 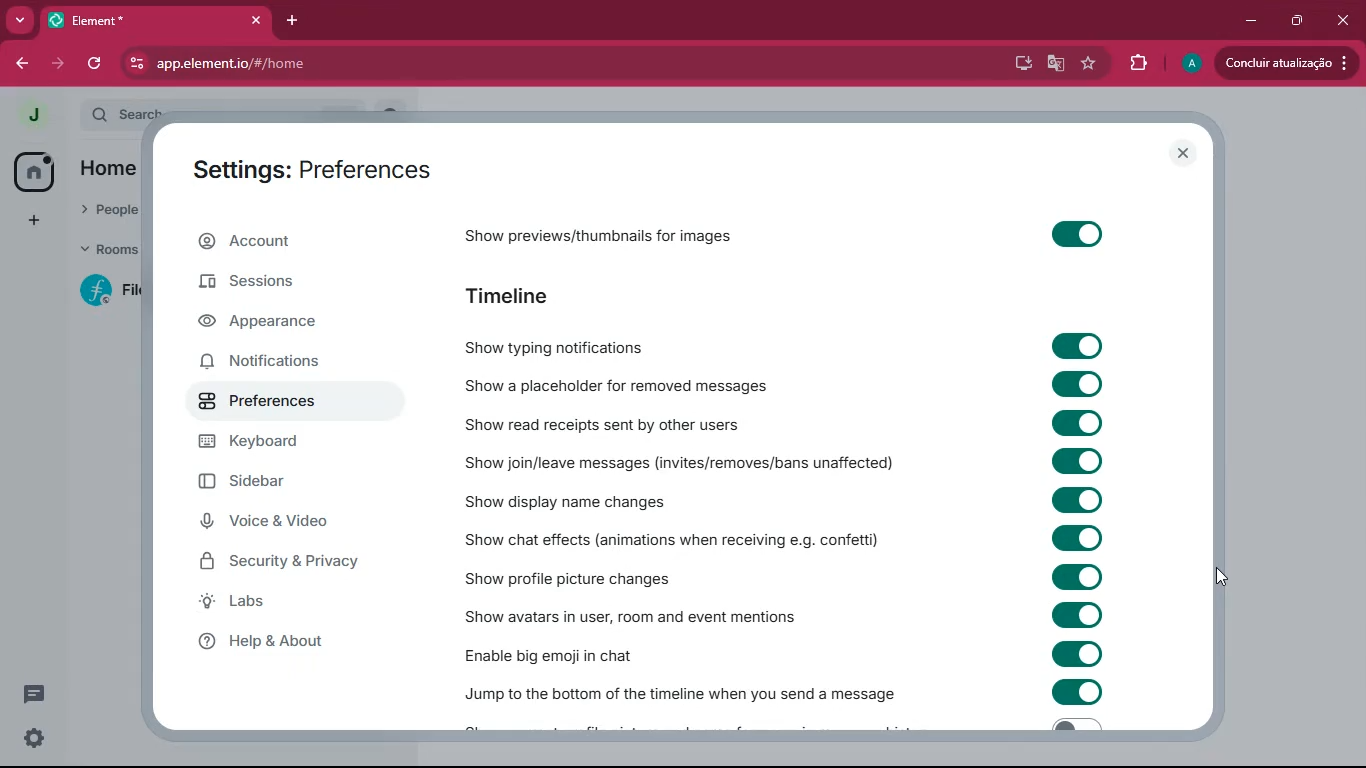 I want to click on expand, so click(x=69, y=116).